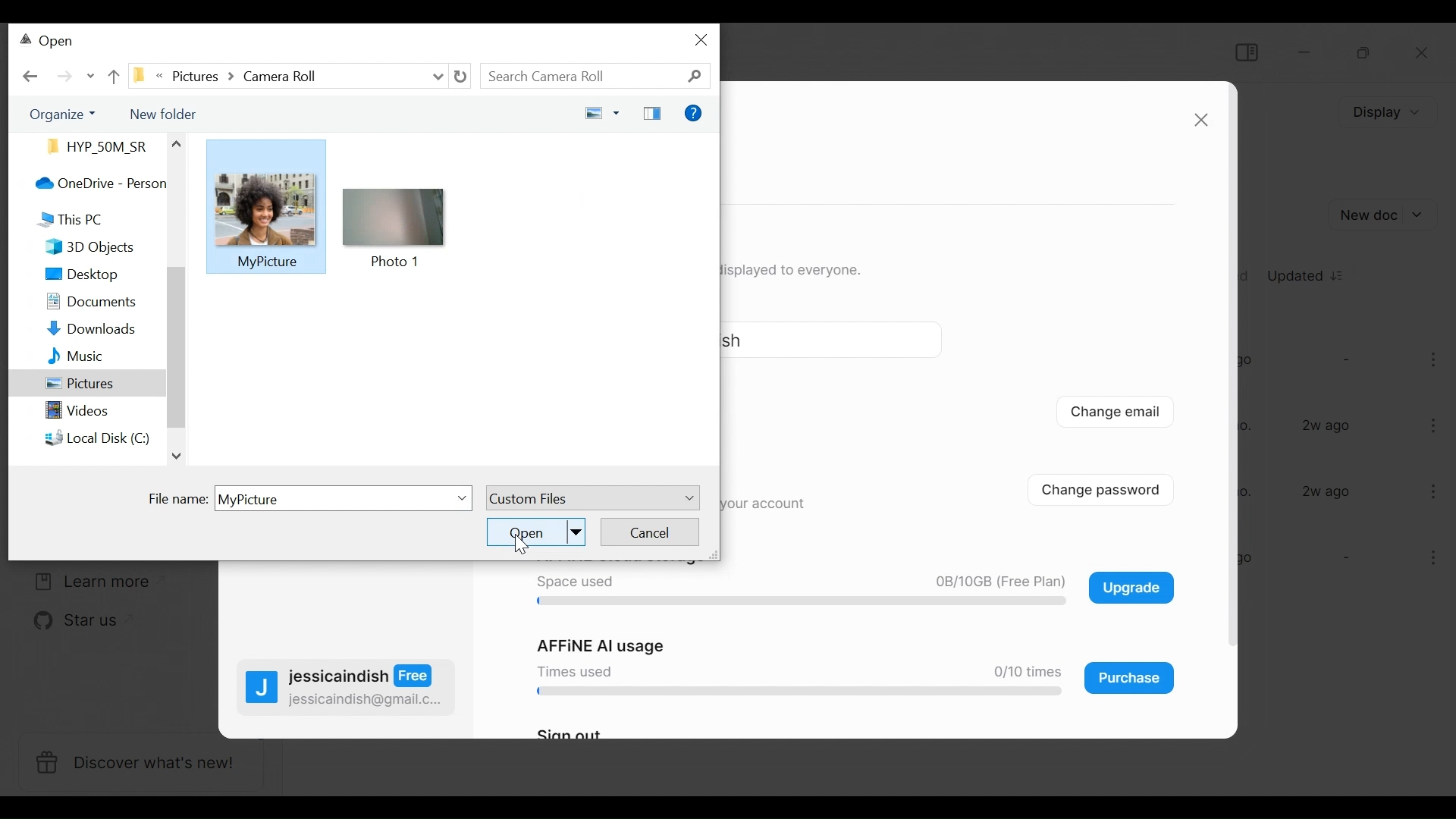 The height and width of the screenshot is (819, 1456). Describe the element at coordinates (31, 77) in the screenshot. I see `Go back` at that location.